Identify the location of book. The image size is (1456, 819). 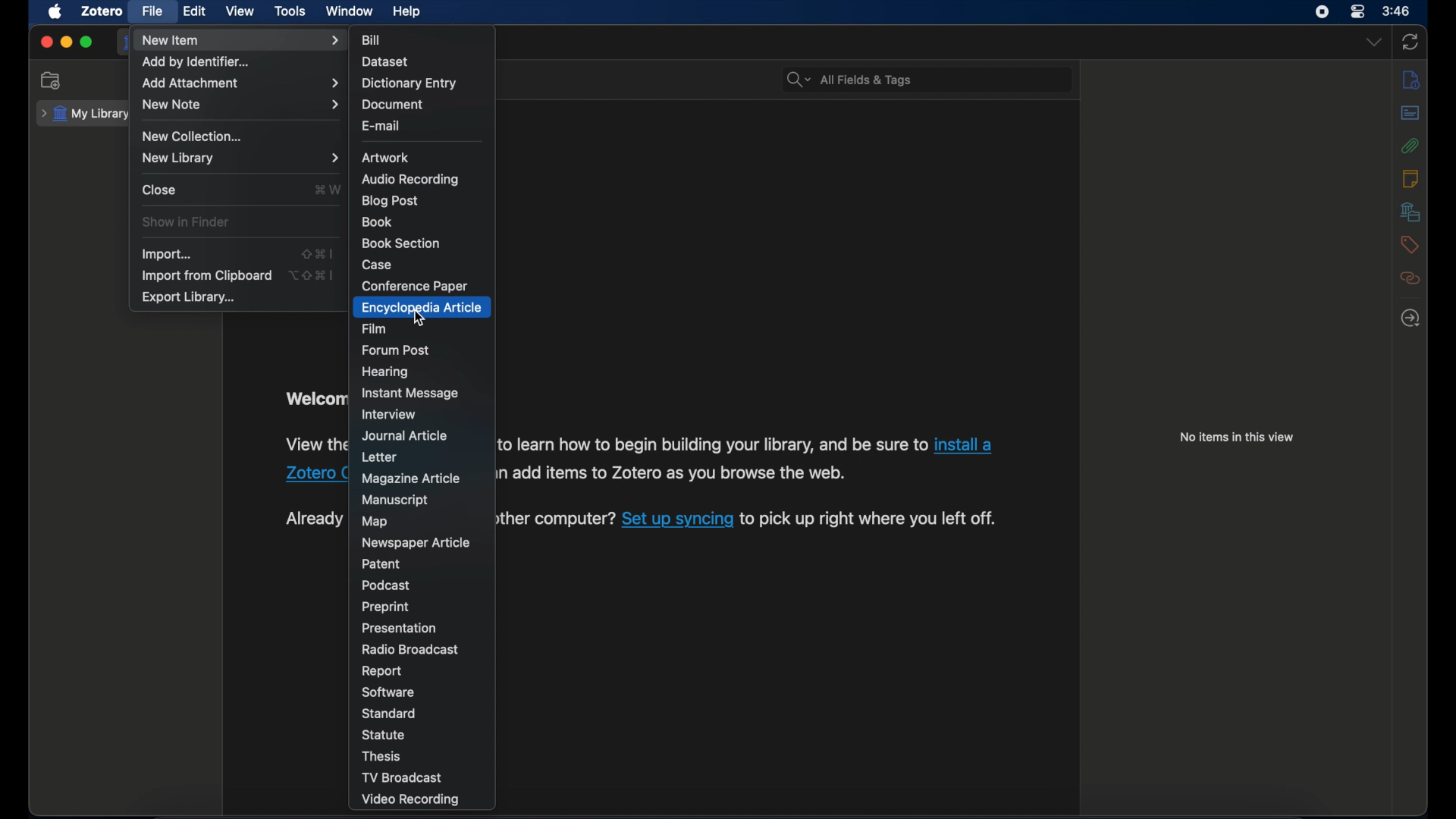
(378, 221).